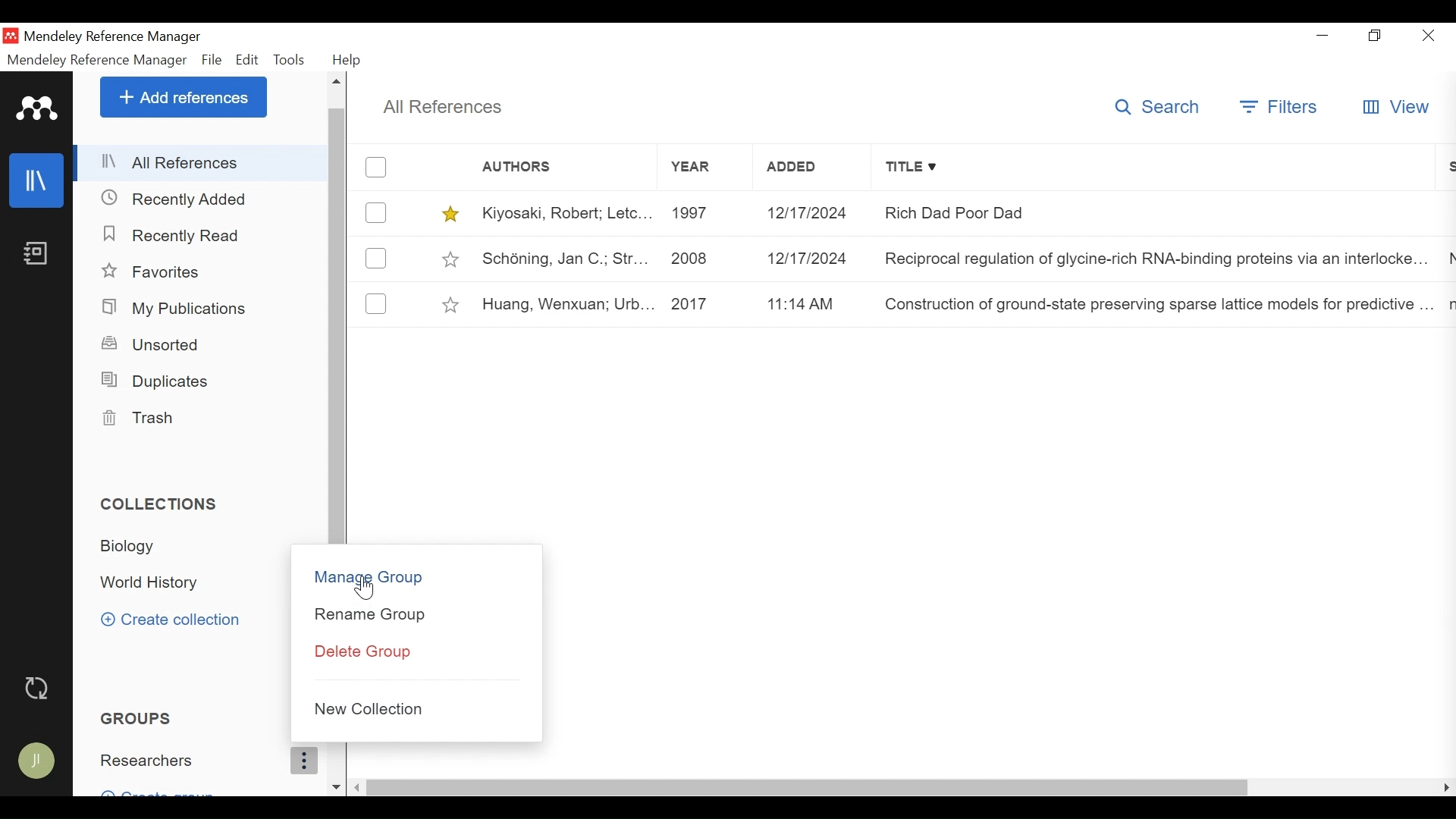  I want to click on Sync, so click(39, 689).